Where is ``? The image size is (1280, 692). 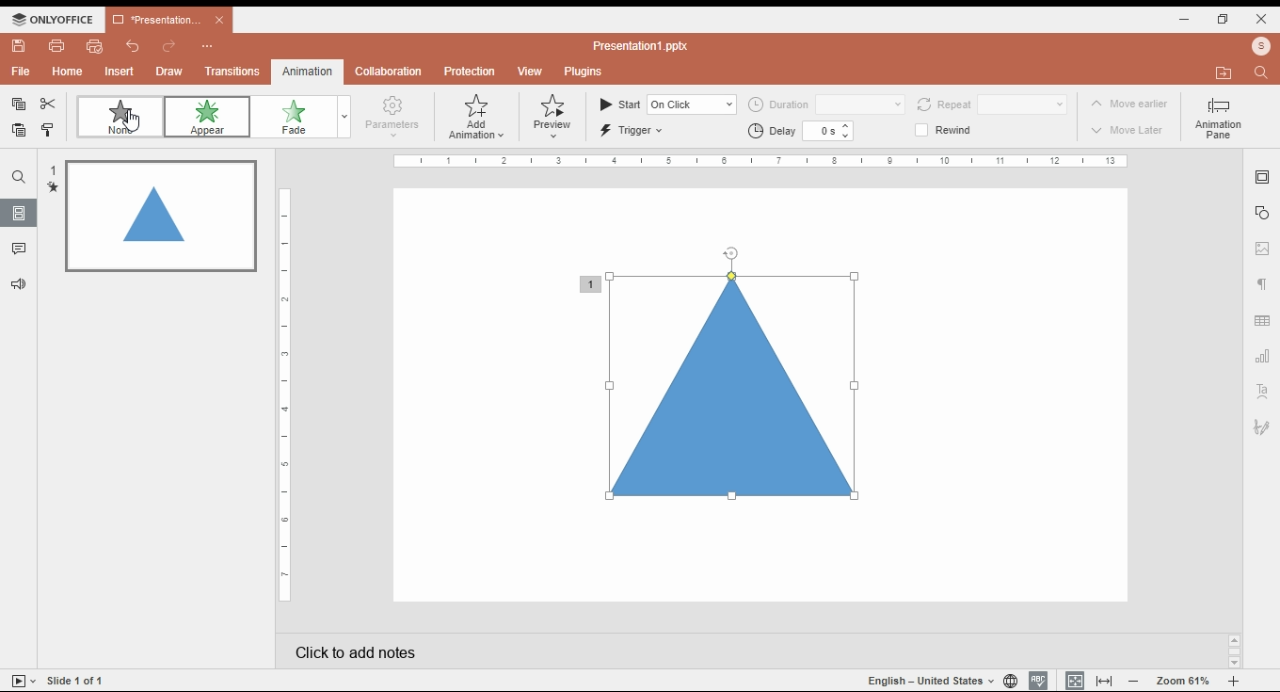
 is located at coordinates (1262, 429).